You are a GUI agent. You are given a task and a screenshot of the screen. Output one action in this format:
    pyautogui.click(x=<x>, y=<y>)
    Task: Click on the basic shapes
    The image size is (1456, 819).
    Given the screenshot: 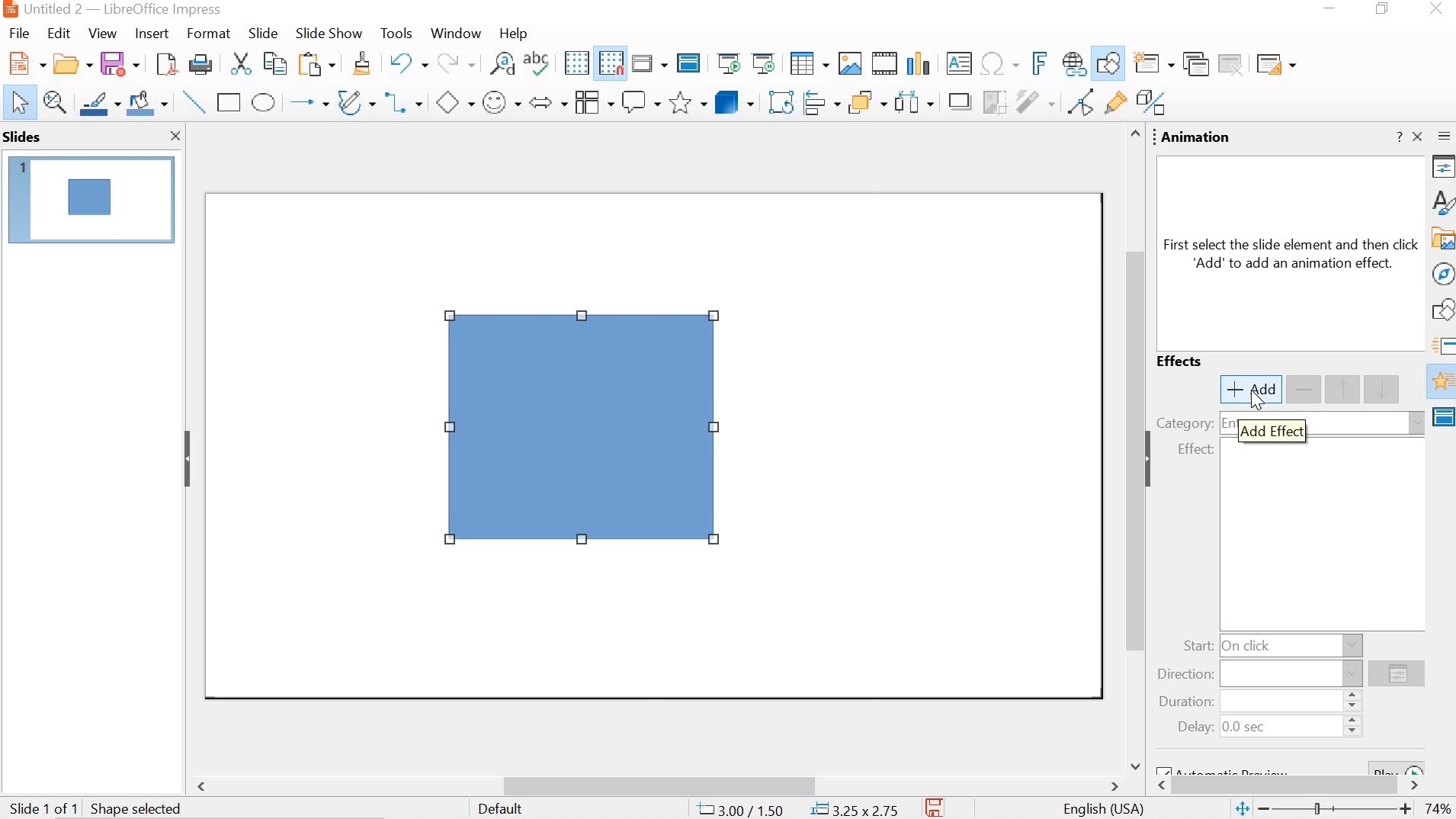 What is the action you would take?
    pyautogui.click(x=455, y=101)
    